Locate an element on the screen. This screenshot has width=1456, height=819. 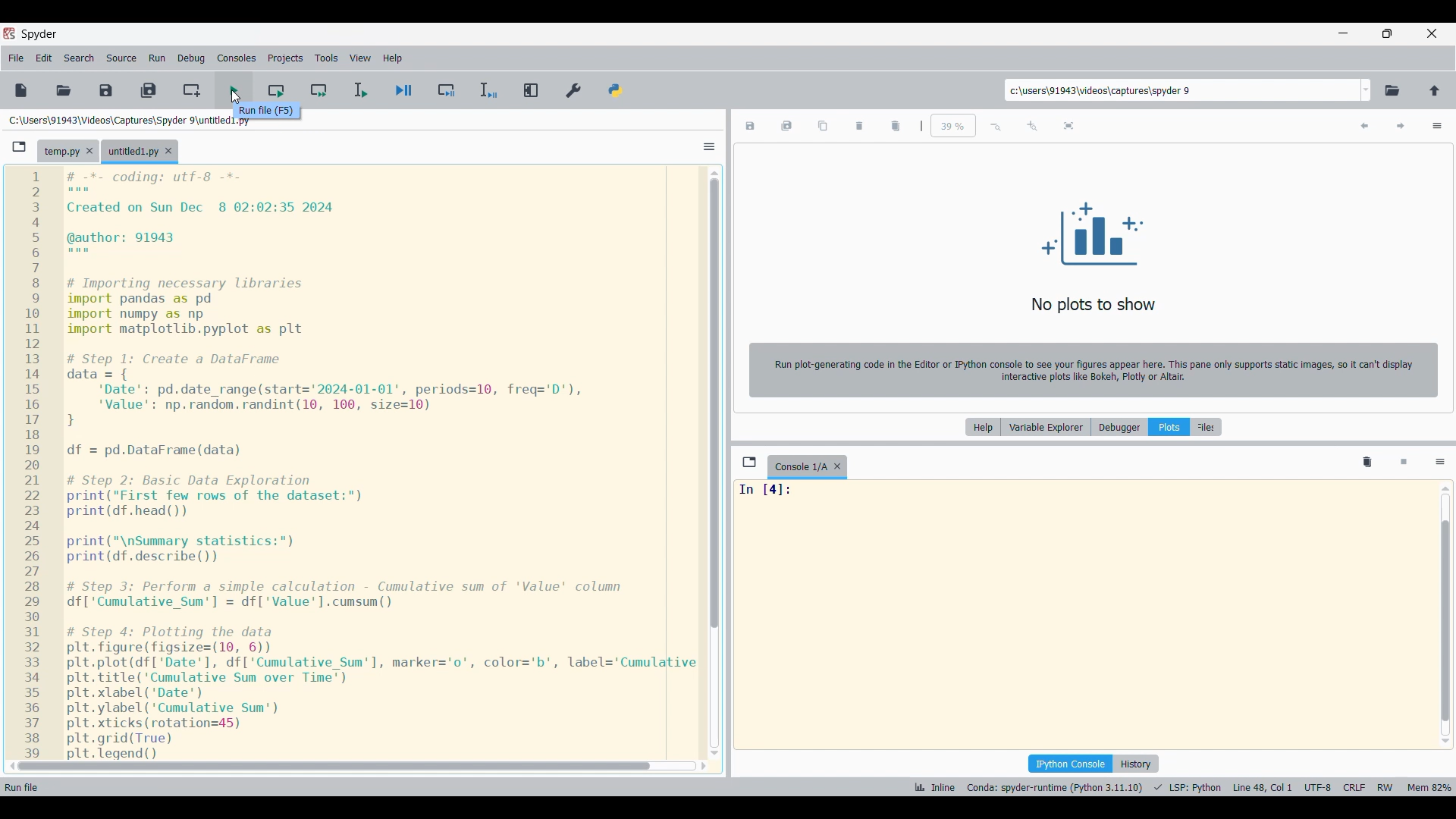
Save plot as is located at coordinates (750, 126).